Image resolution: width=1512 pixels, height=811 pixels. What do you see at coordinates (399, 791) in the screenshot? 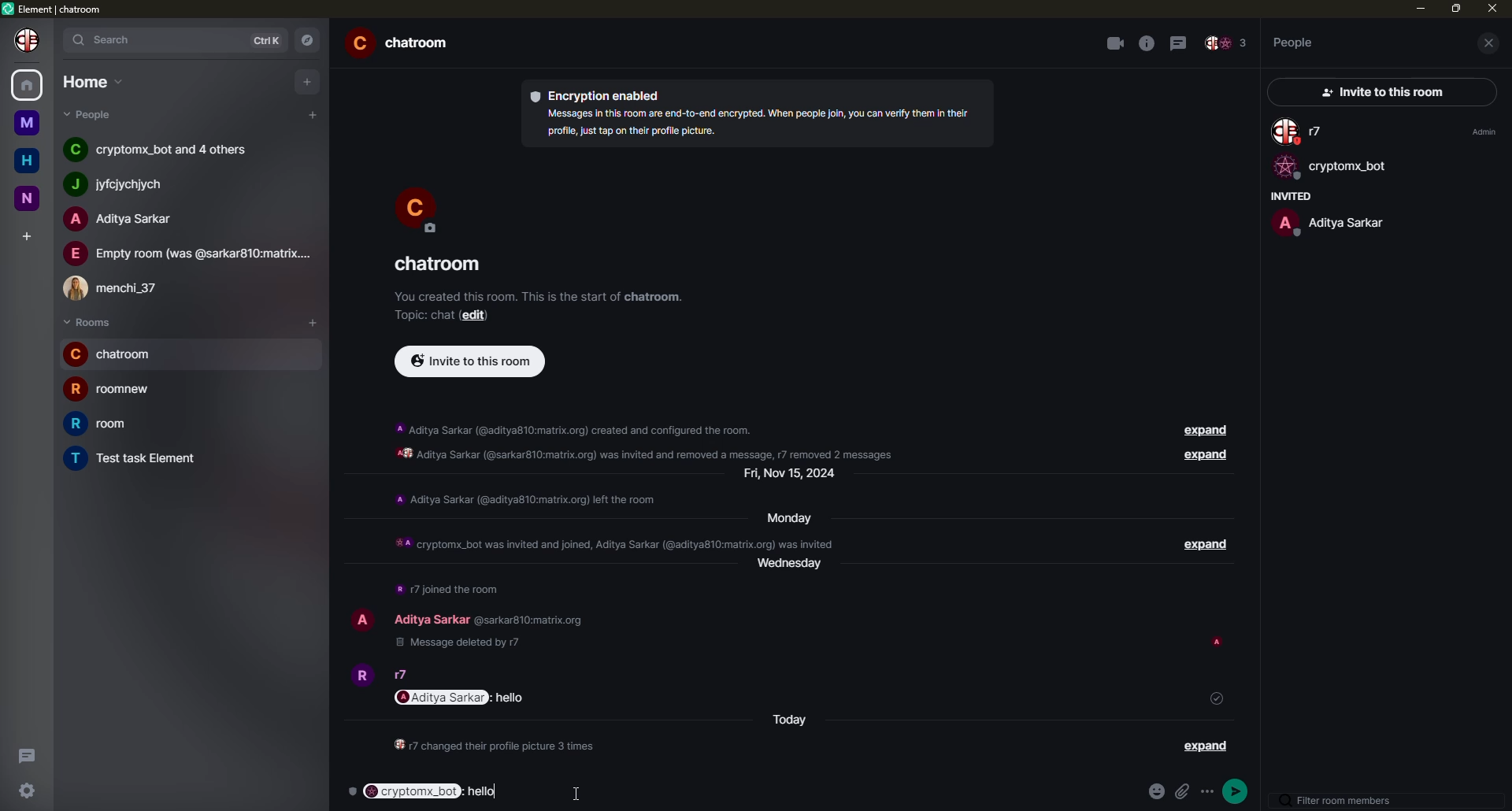
I see `mentioned` at bounding box center [399, 791].